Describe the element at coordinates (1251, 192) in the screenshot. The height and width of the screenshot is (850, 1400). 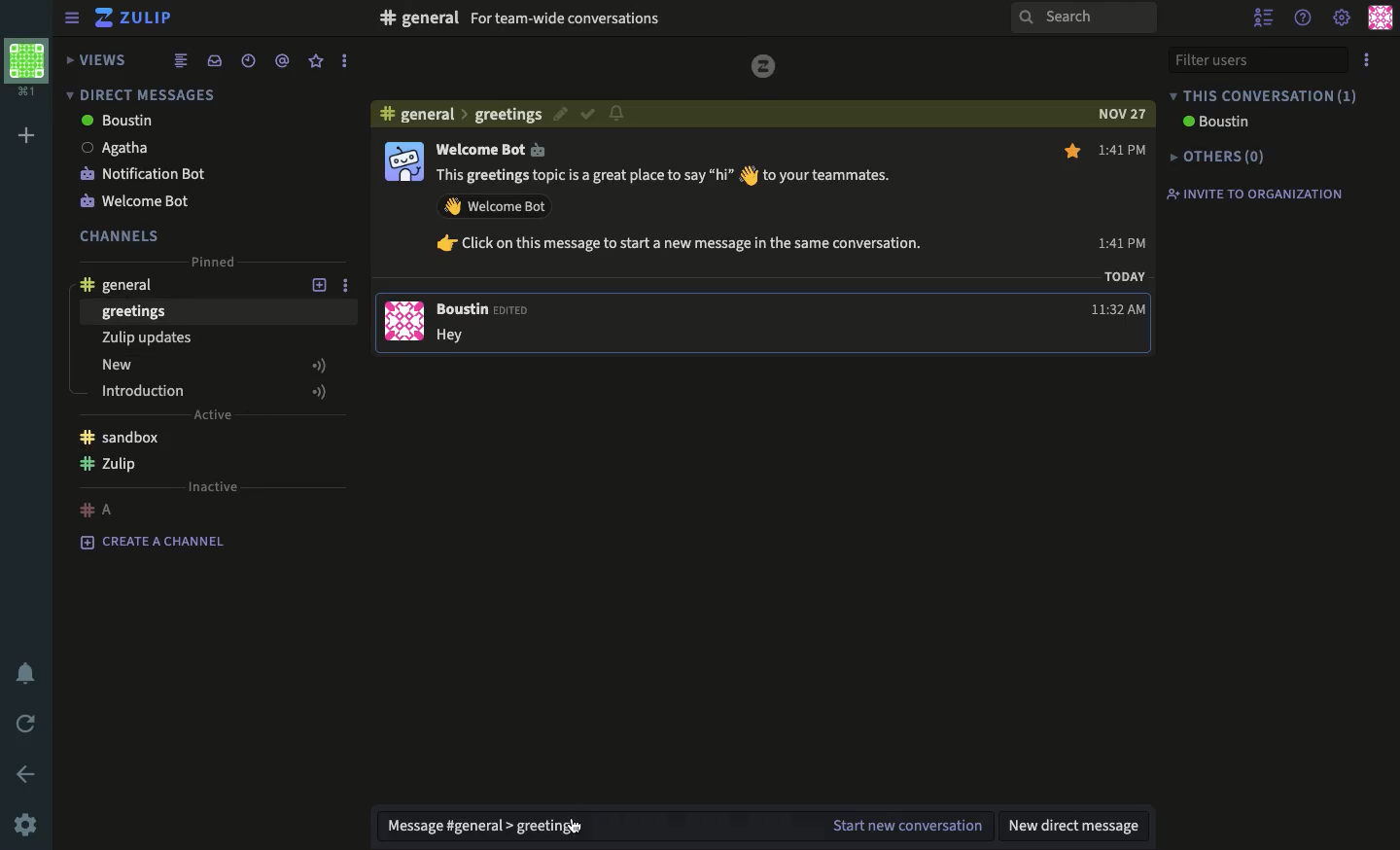
I see `invite to organization` at that location.